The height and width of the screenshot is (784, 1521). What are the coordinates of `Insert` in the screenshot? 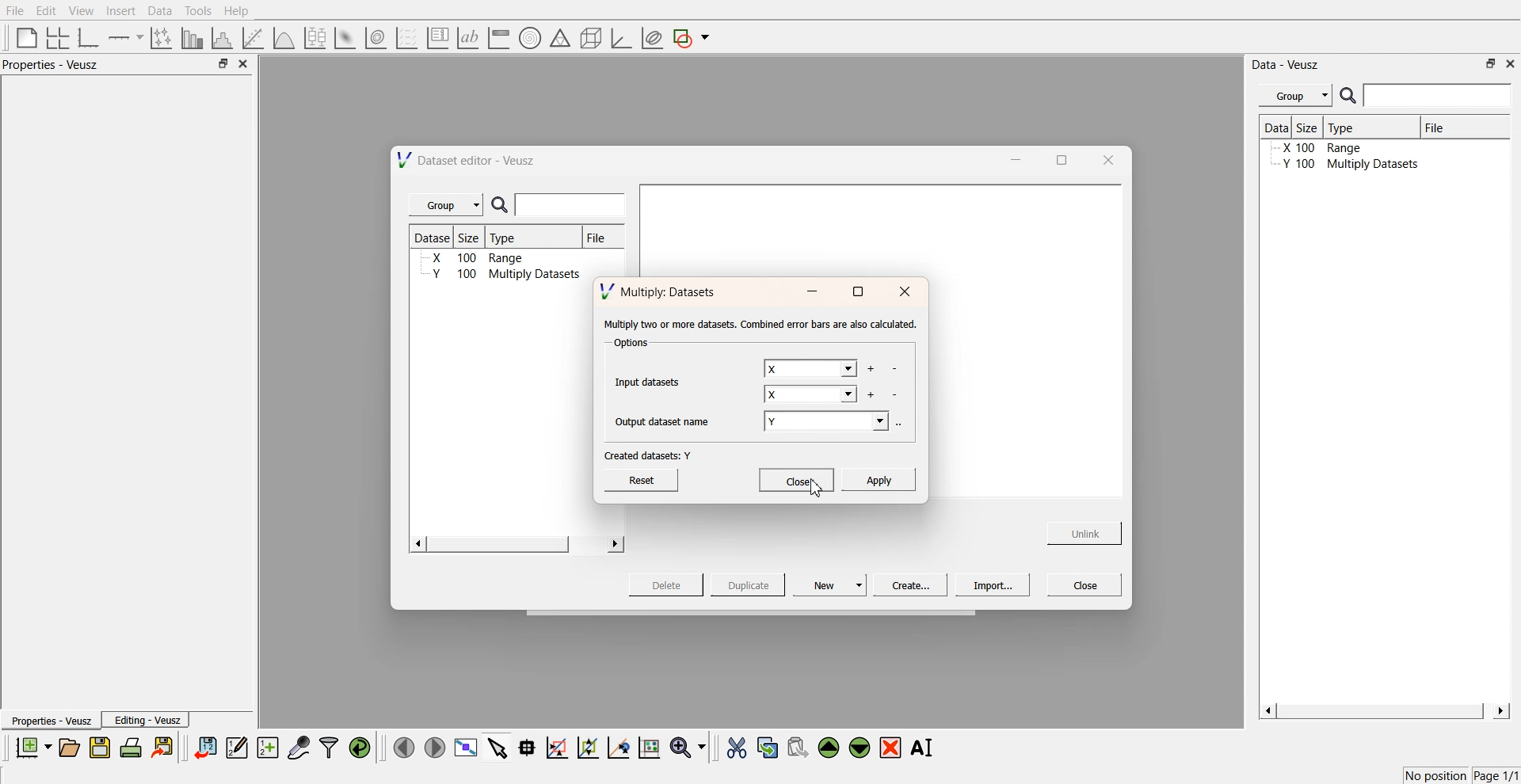 It's located at (119, 11).